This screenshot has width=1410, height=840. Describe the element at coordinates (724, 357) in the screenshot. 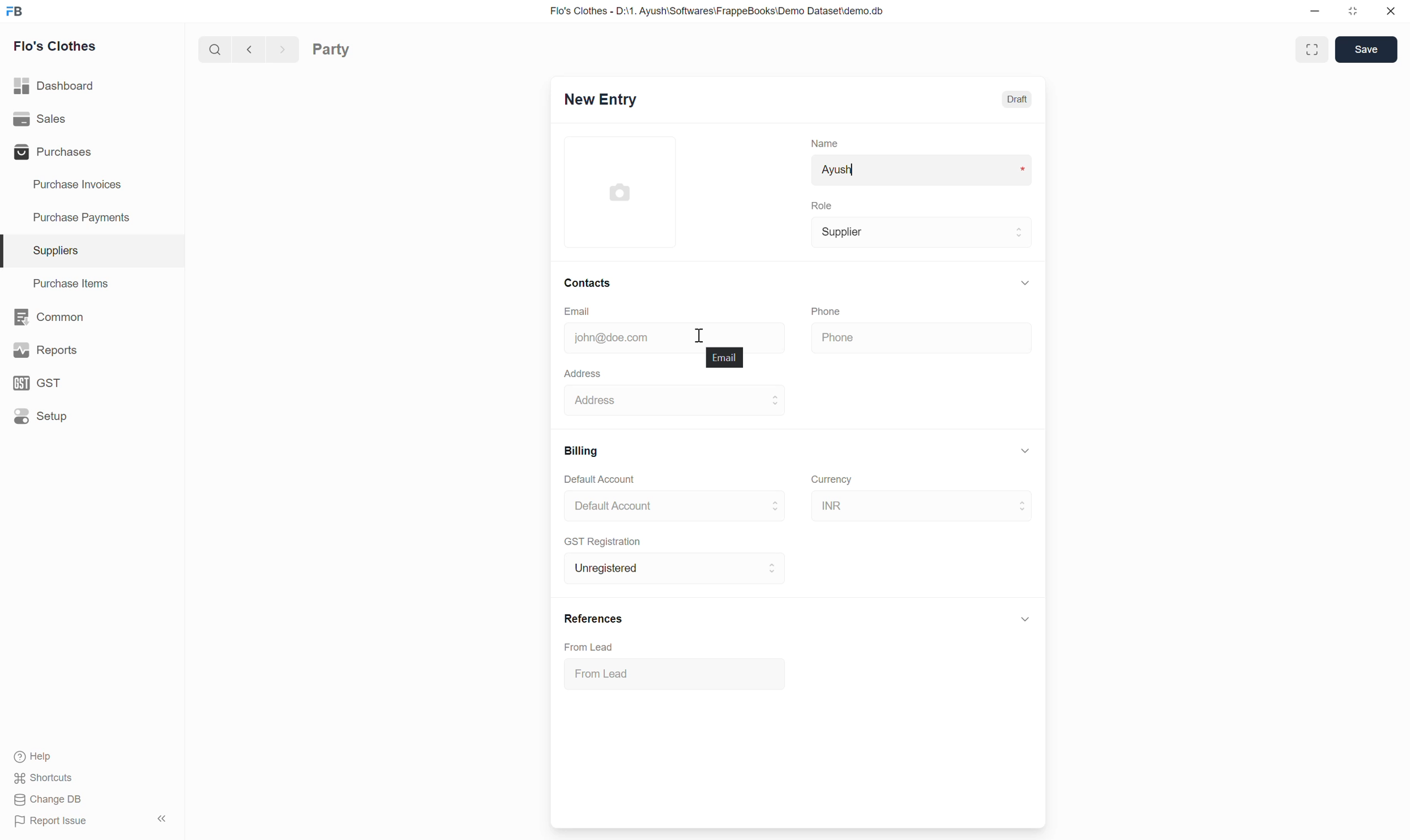

I see `Email` at that location.